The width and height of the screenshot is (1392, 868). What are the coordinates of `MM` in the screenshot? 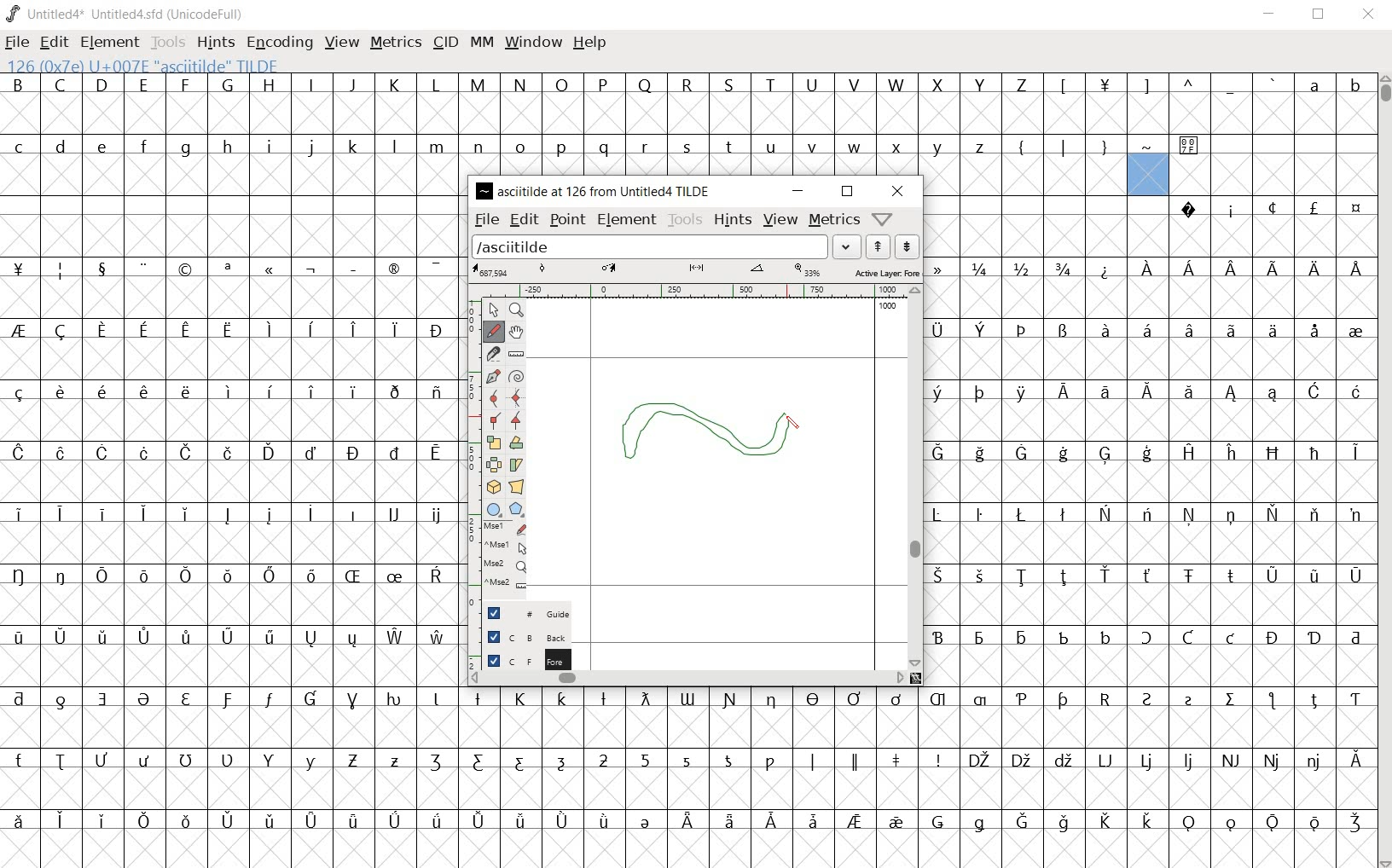 It's located at (481, 45).